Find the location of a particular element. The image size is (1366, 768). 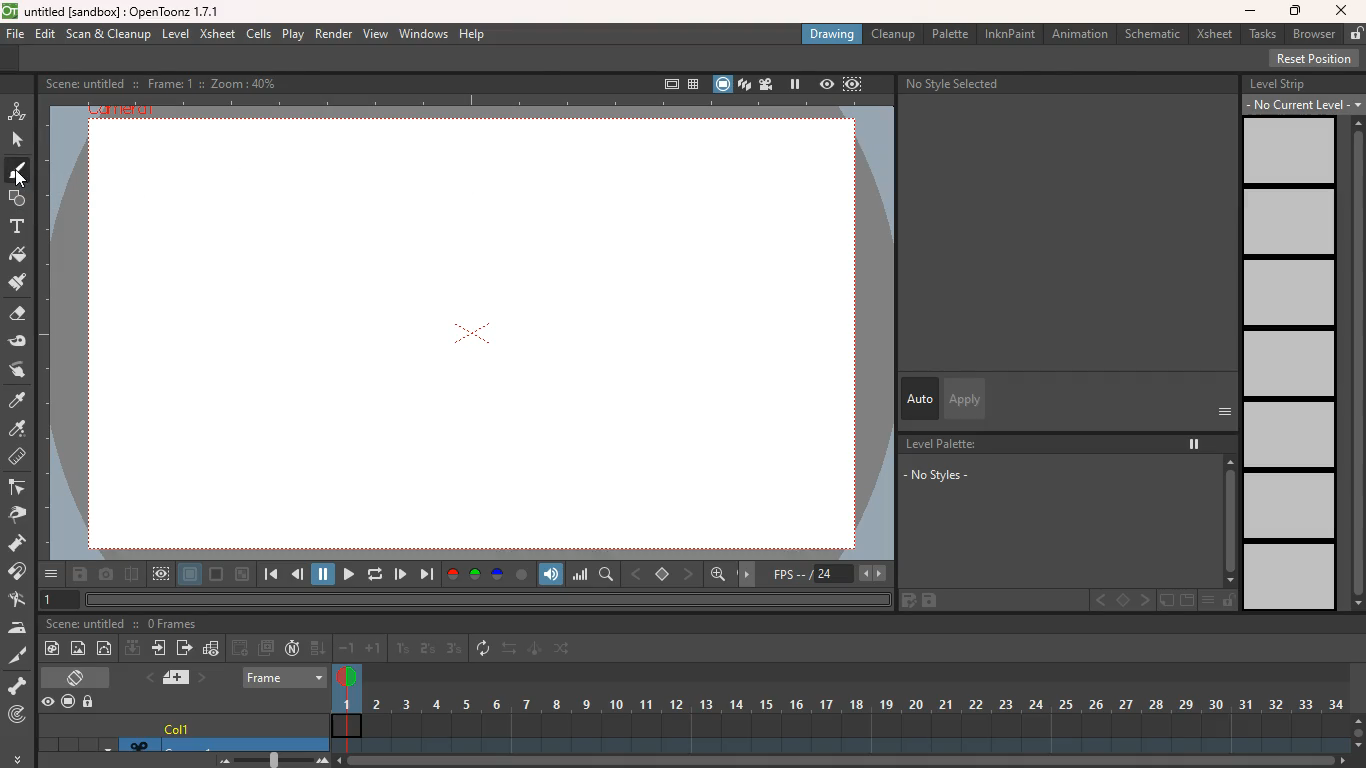

blue is located at coordinates (499, 575).